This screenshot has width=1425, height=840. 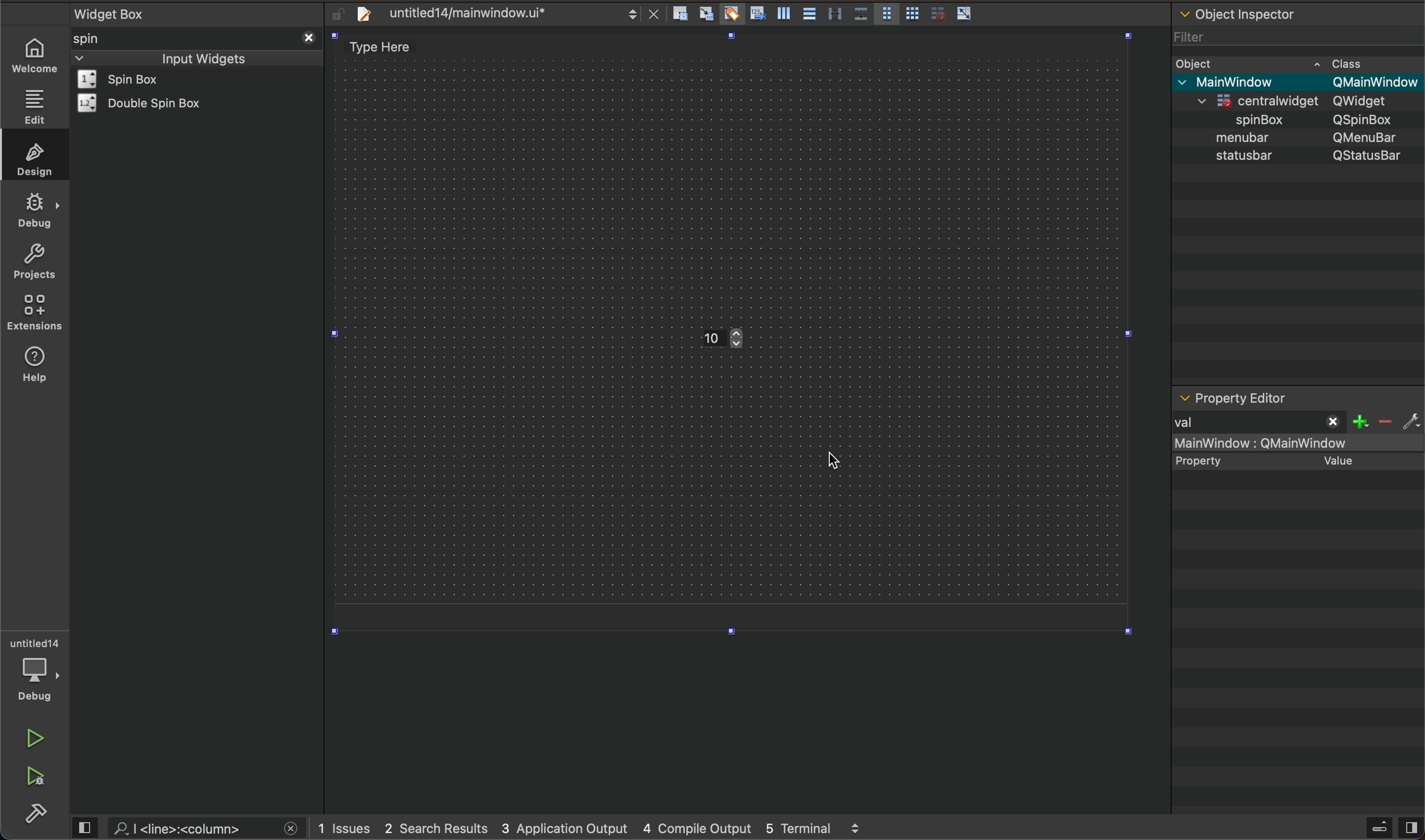 What do you see at coordinates (1369, 137) in the screenshot?
I see `` at bounding box center [1369, 137].